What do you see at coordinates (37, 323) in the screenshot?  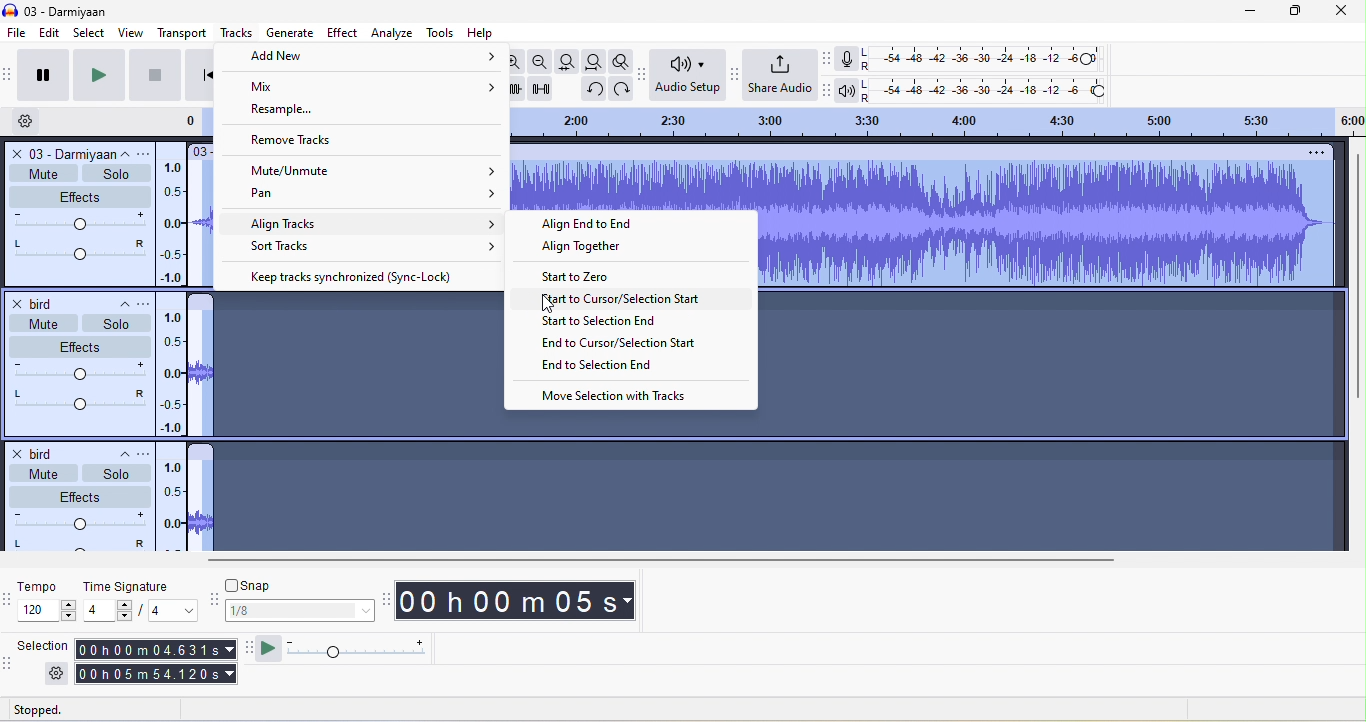 I see `mute` at bounding box center [37, 323].